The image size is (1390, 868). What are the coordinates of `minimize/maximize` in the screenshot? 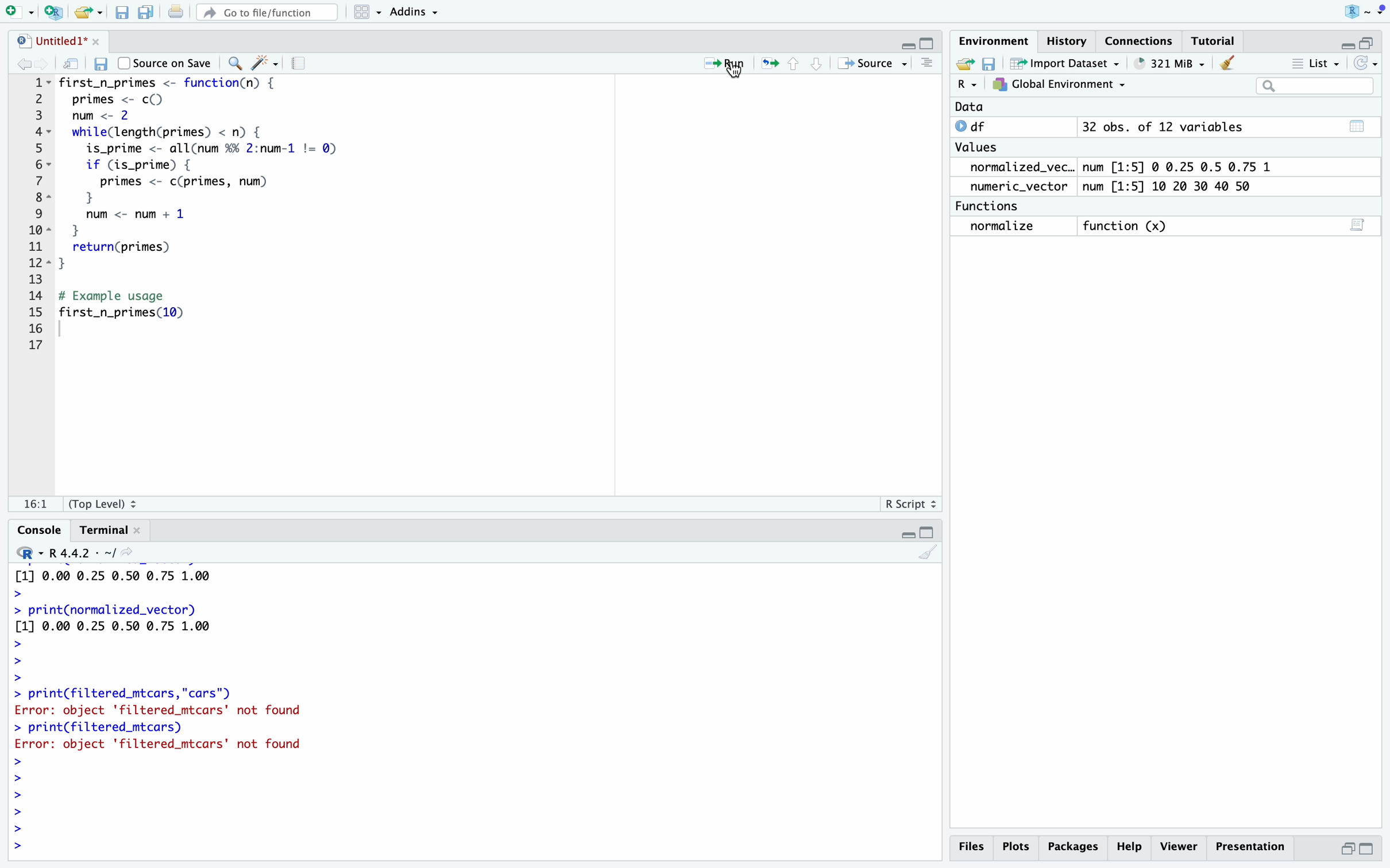 It's located at (924, 527).